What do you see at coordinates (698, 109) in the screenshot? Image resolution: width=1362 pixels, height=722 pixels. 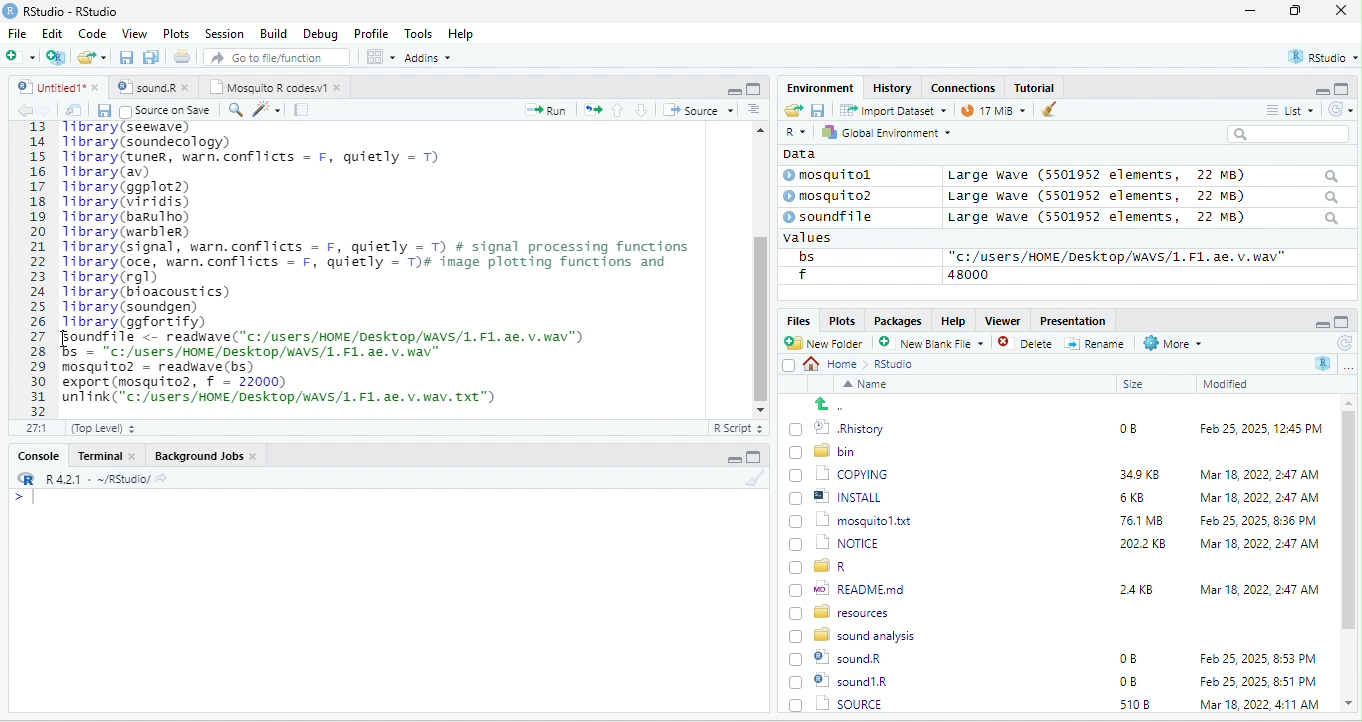 I see `+ Source +` at bounding box center [698, 109].